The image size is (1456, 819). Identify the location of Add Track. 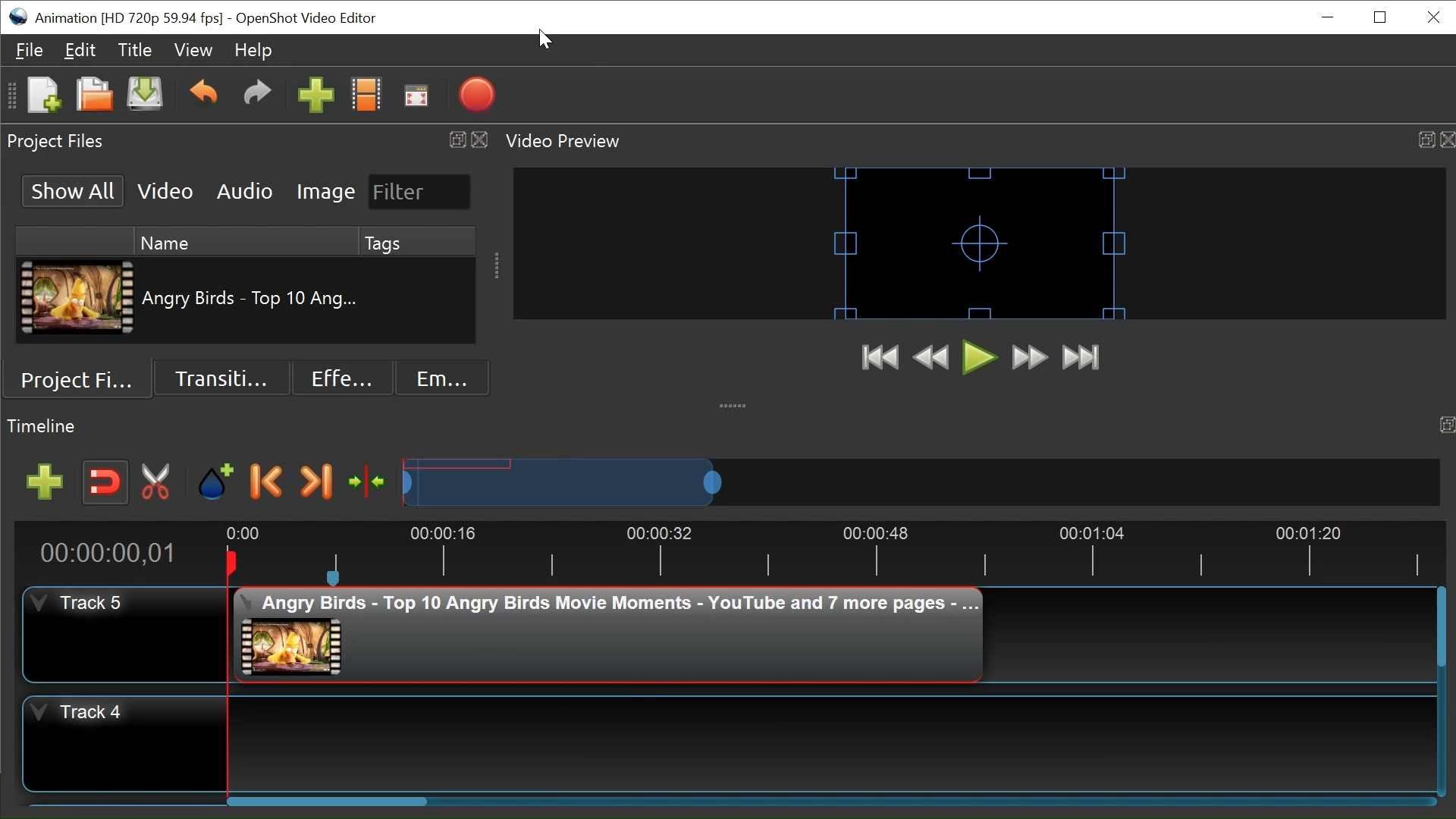
(48, 484).